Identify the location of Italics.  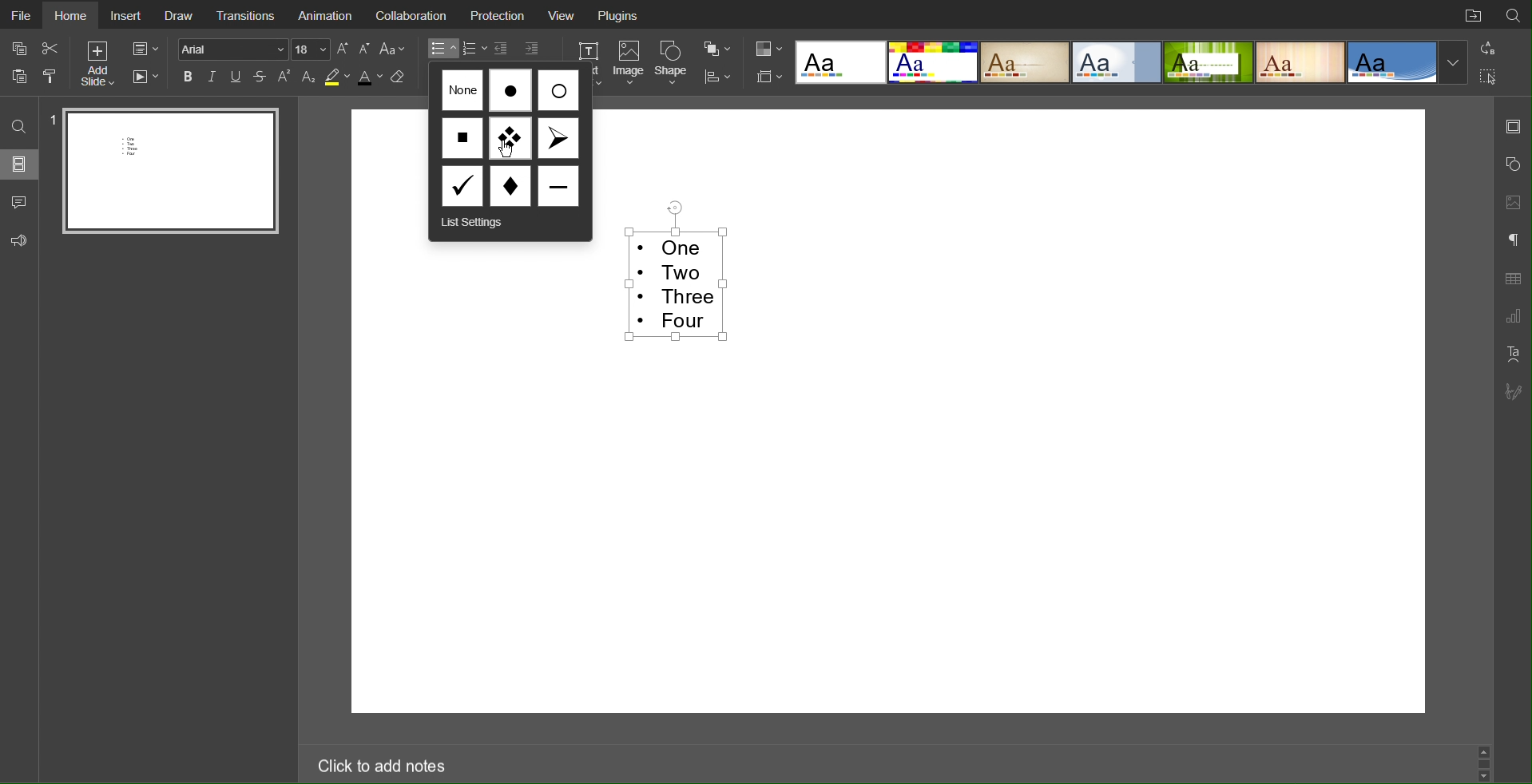
(213, 77).